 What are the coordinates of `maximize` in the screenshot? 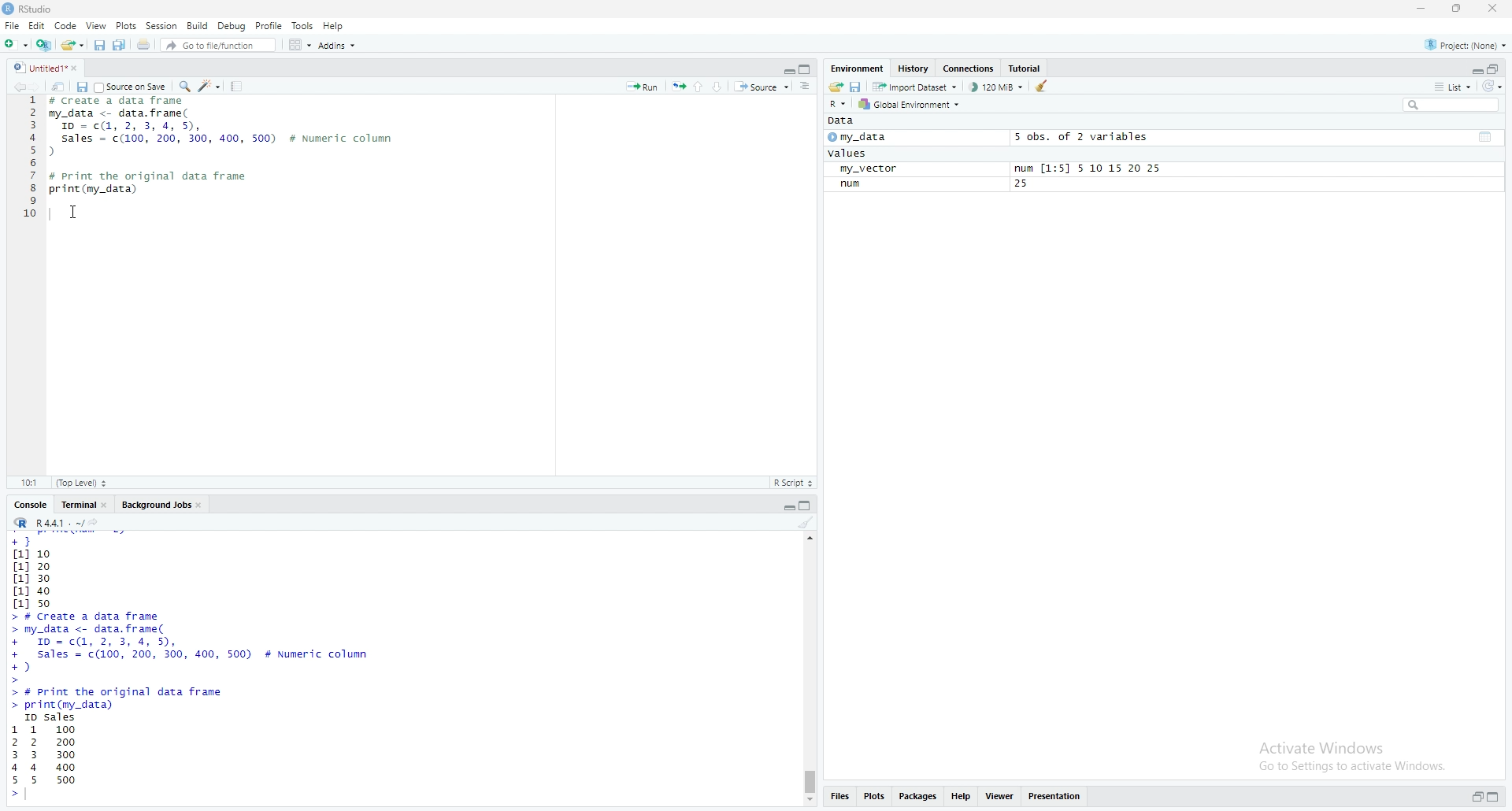 It's located at (1464, 10).